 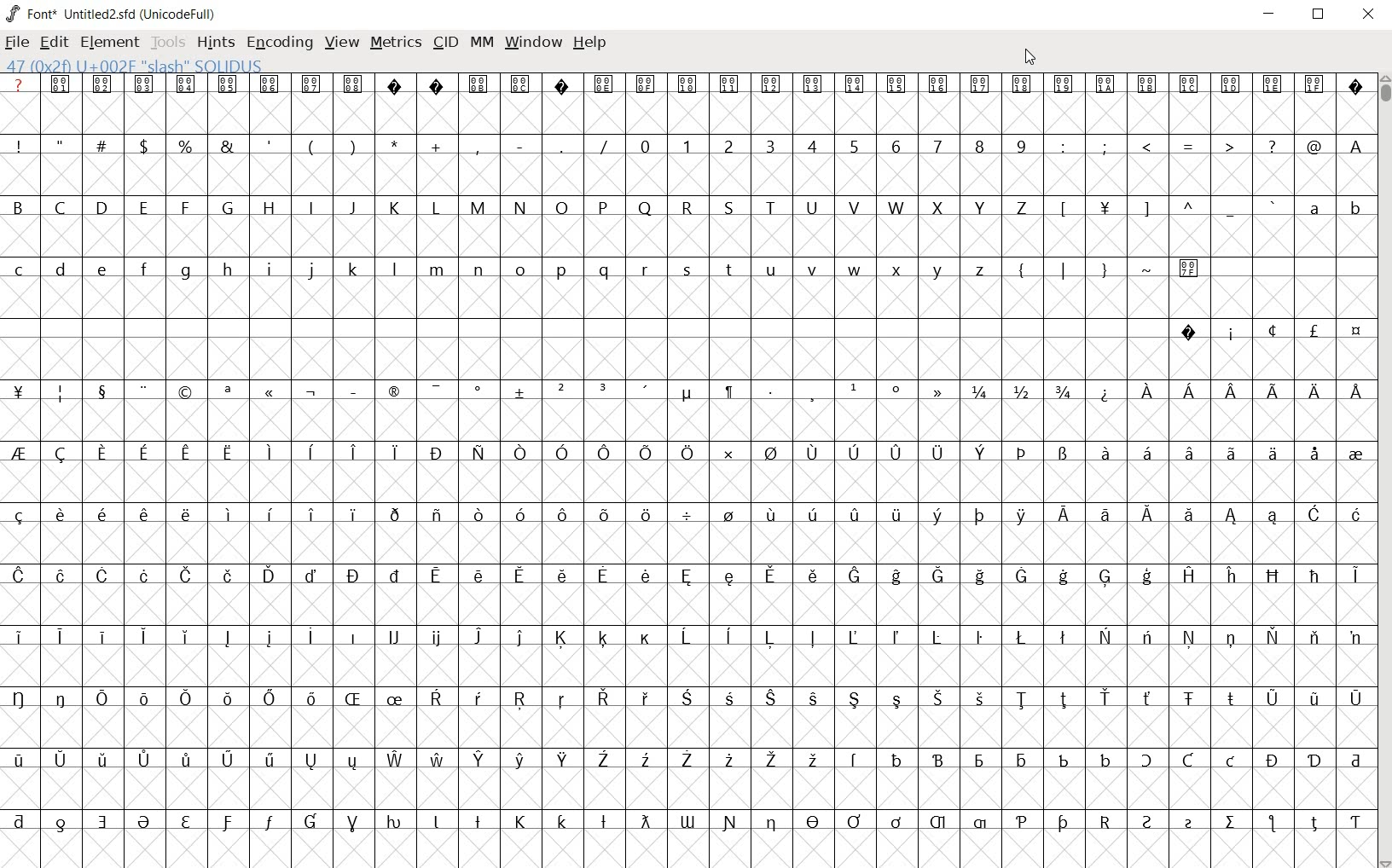 I want to click on CID, so click(x=445, y=43).